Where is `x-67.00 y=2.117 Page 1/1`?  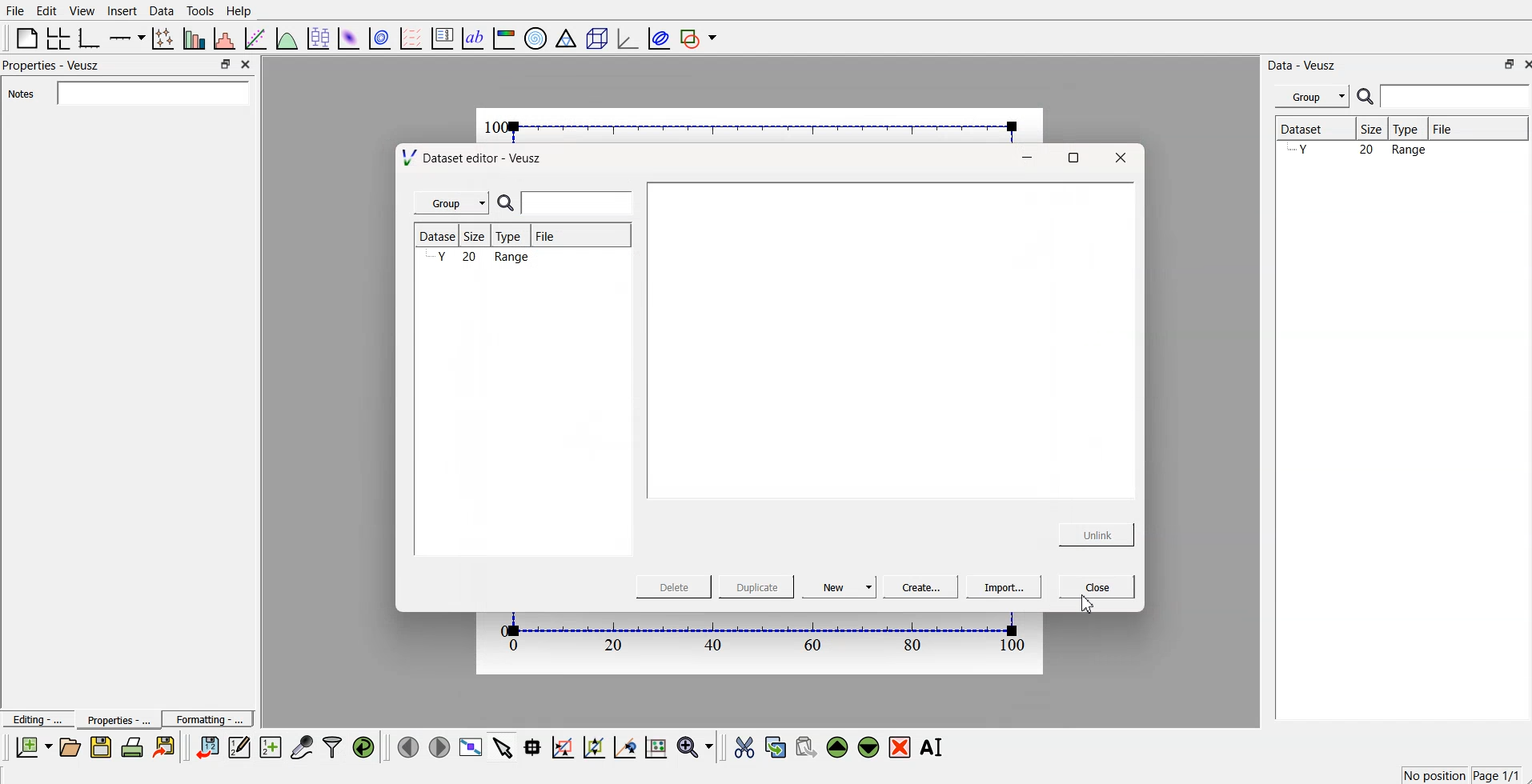
x-67.00 y=2.117 Page 1/1 is located at coordinates (1444, 774).